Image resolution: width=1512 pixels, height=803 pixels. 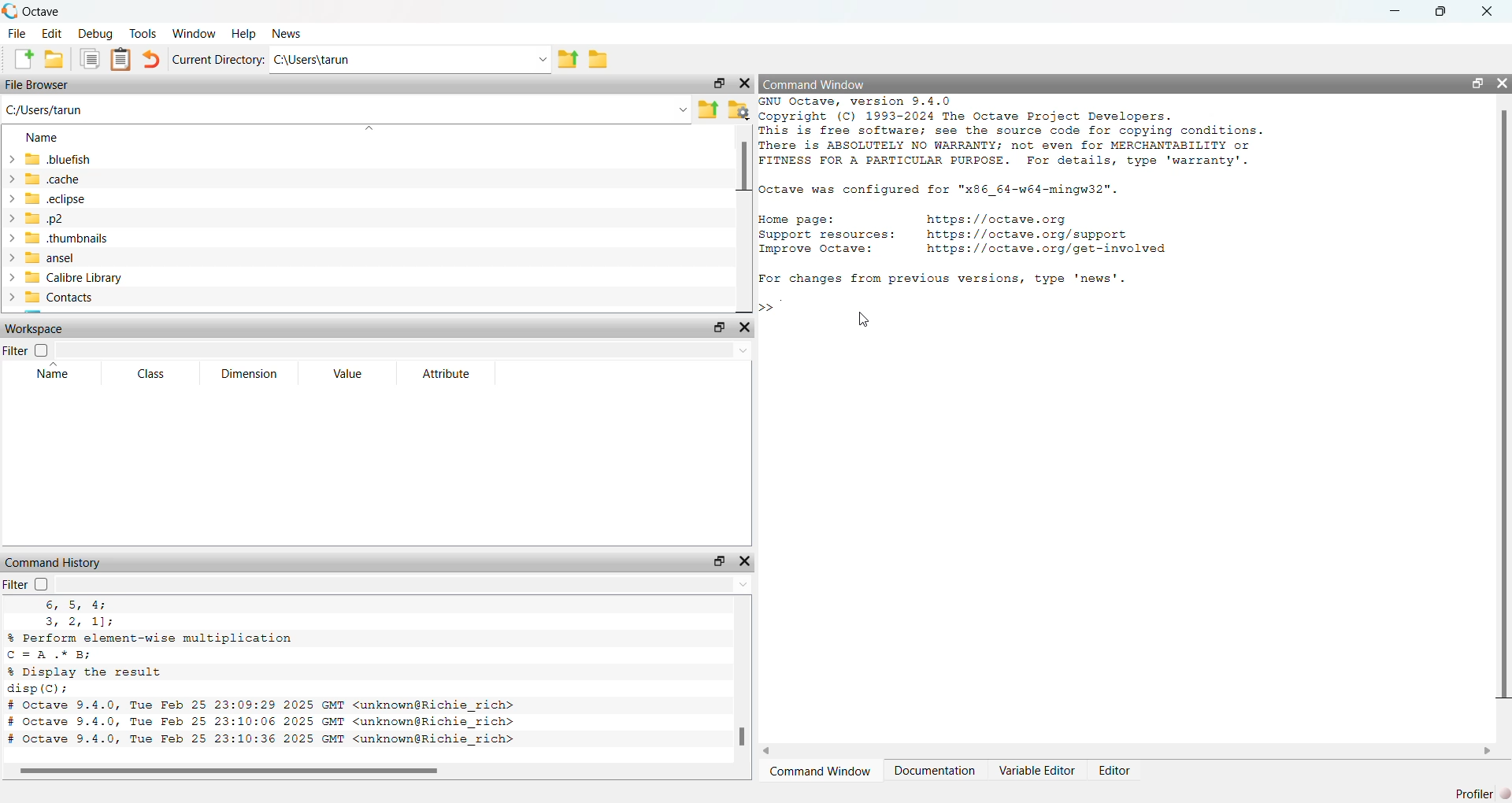 I want to click on Edit, so click(x=52, y=33).